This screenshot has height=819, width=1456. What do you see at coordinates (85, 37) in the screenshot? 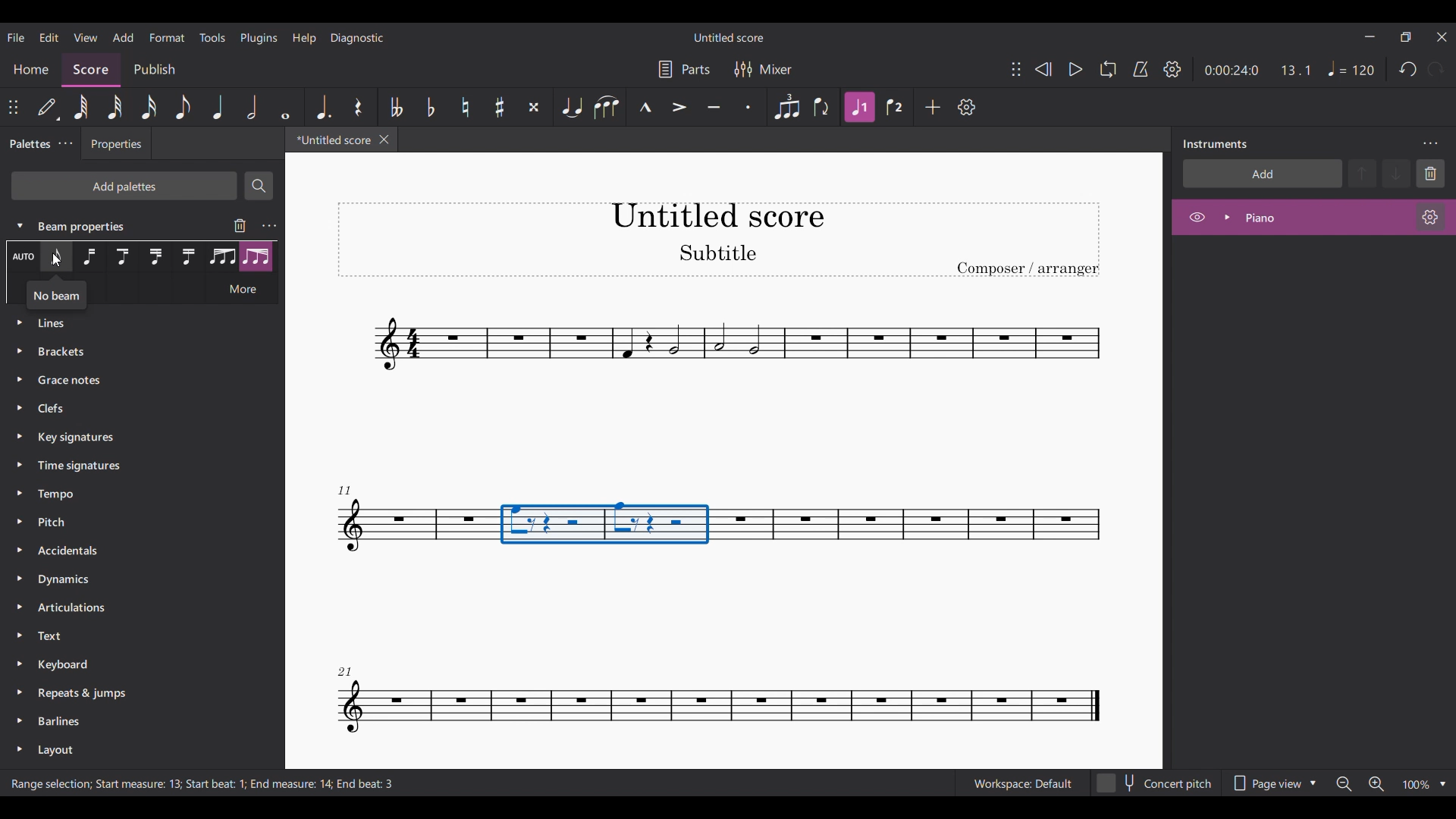
I see `View menu` at bounding box center [85, 37].